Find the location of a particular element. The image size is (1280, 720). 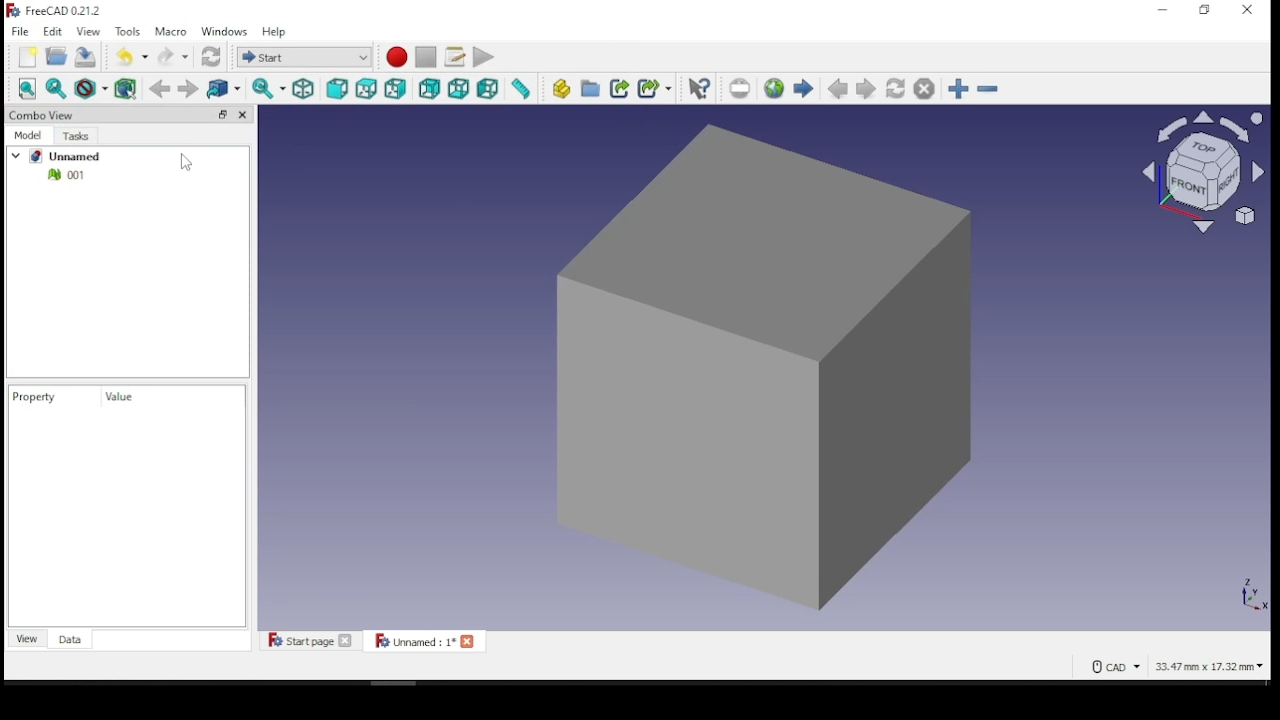

fit all is located at coordinates (29, 90).